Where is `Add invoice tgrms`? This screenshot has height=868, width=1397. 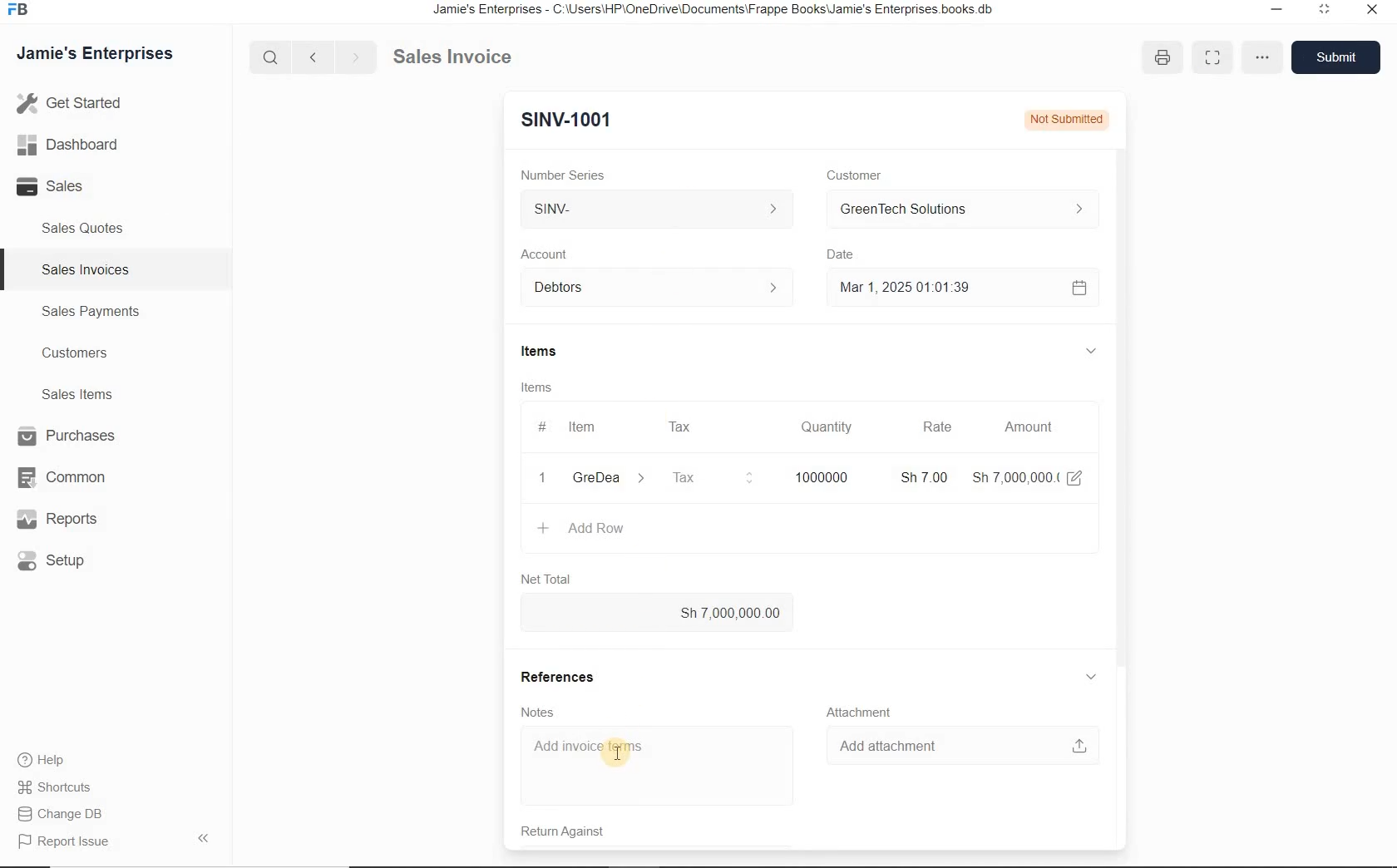 Add invoice tgrms is located at coordinates (653, 766).